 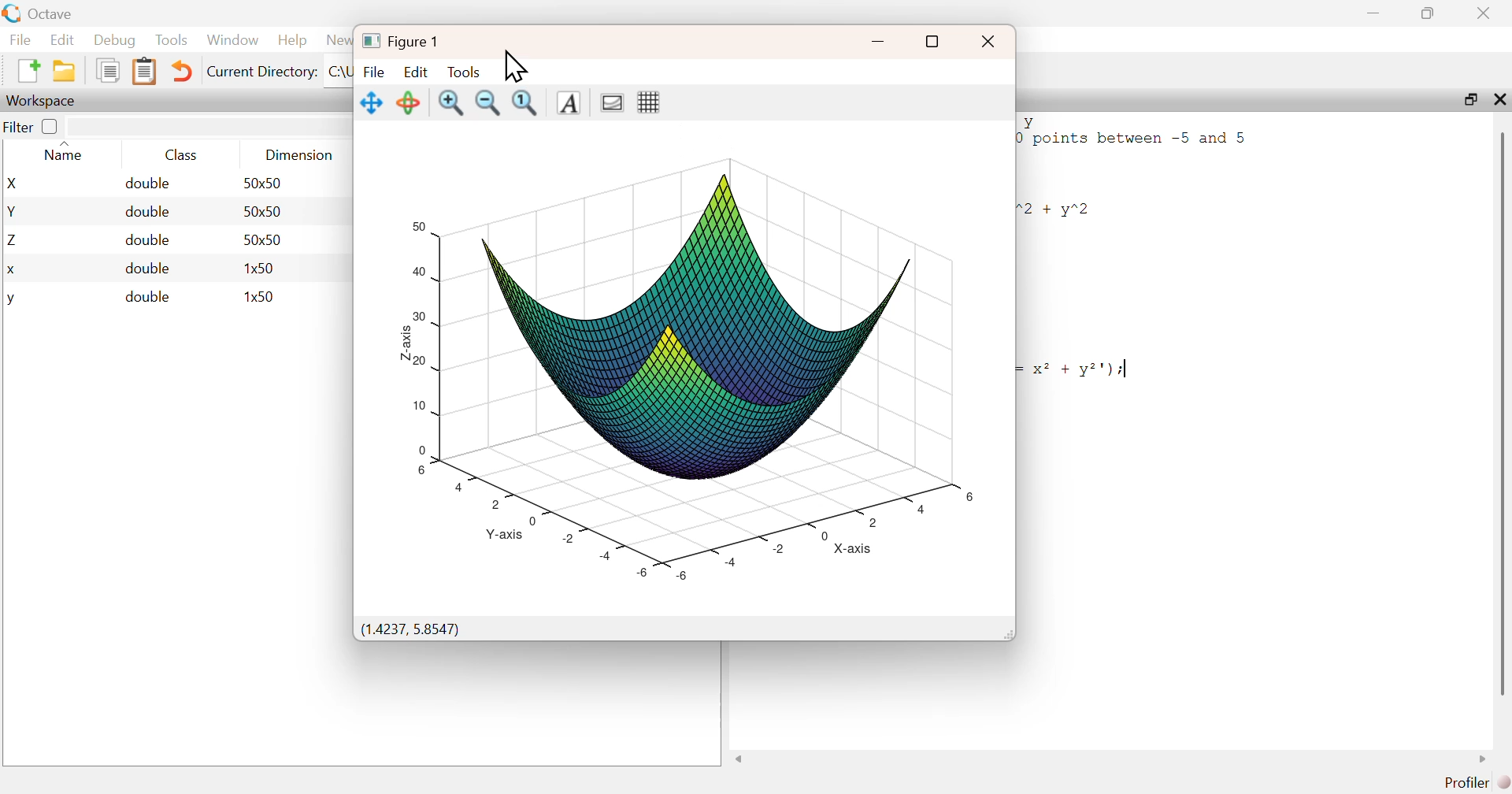 What do you see at coordinates (147, 297) in the screenshot?
I see `double` at bounding box center [147, 297].